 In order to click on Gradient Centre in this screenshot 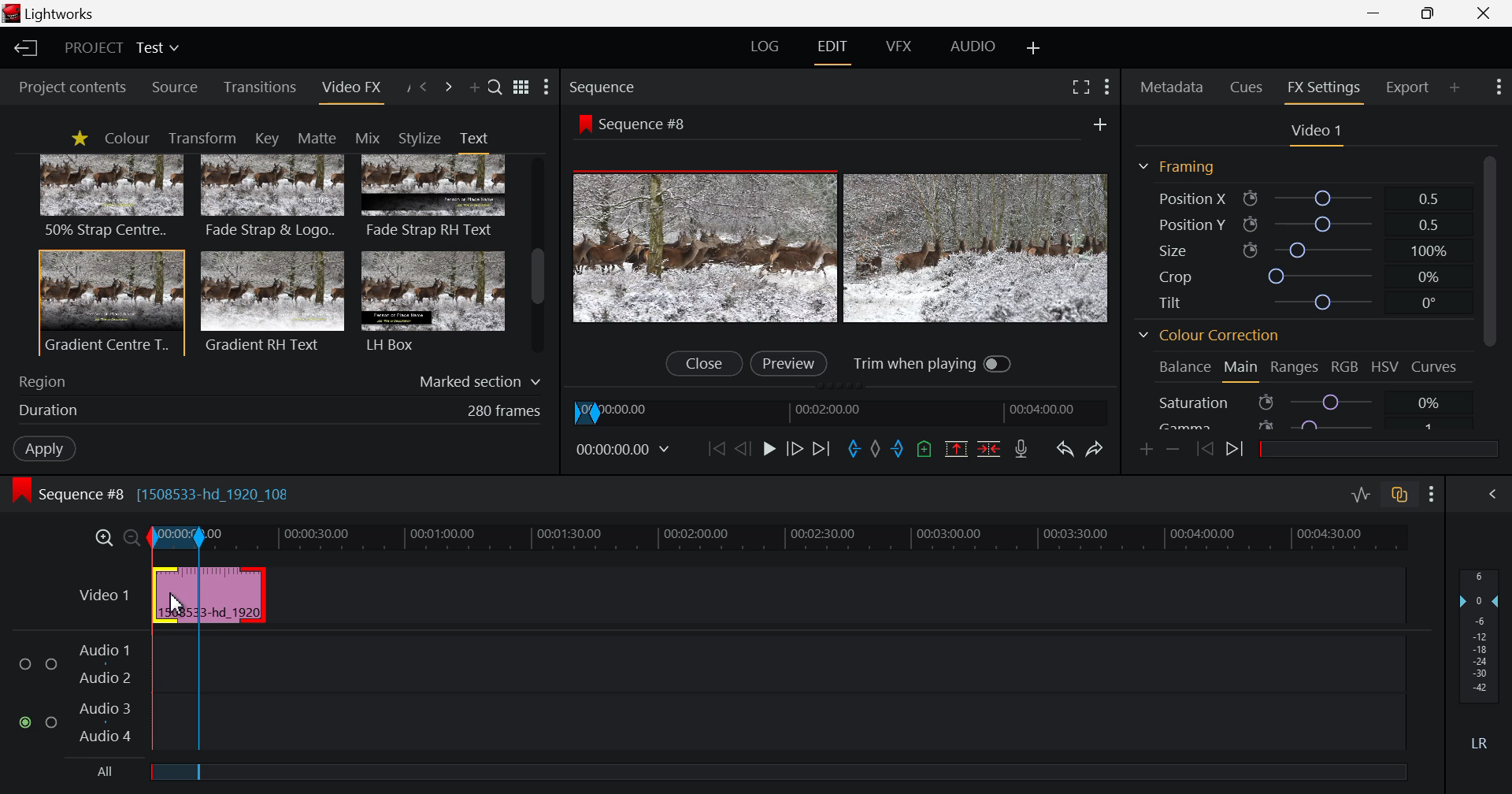, I will do `click(110, 302)`.